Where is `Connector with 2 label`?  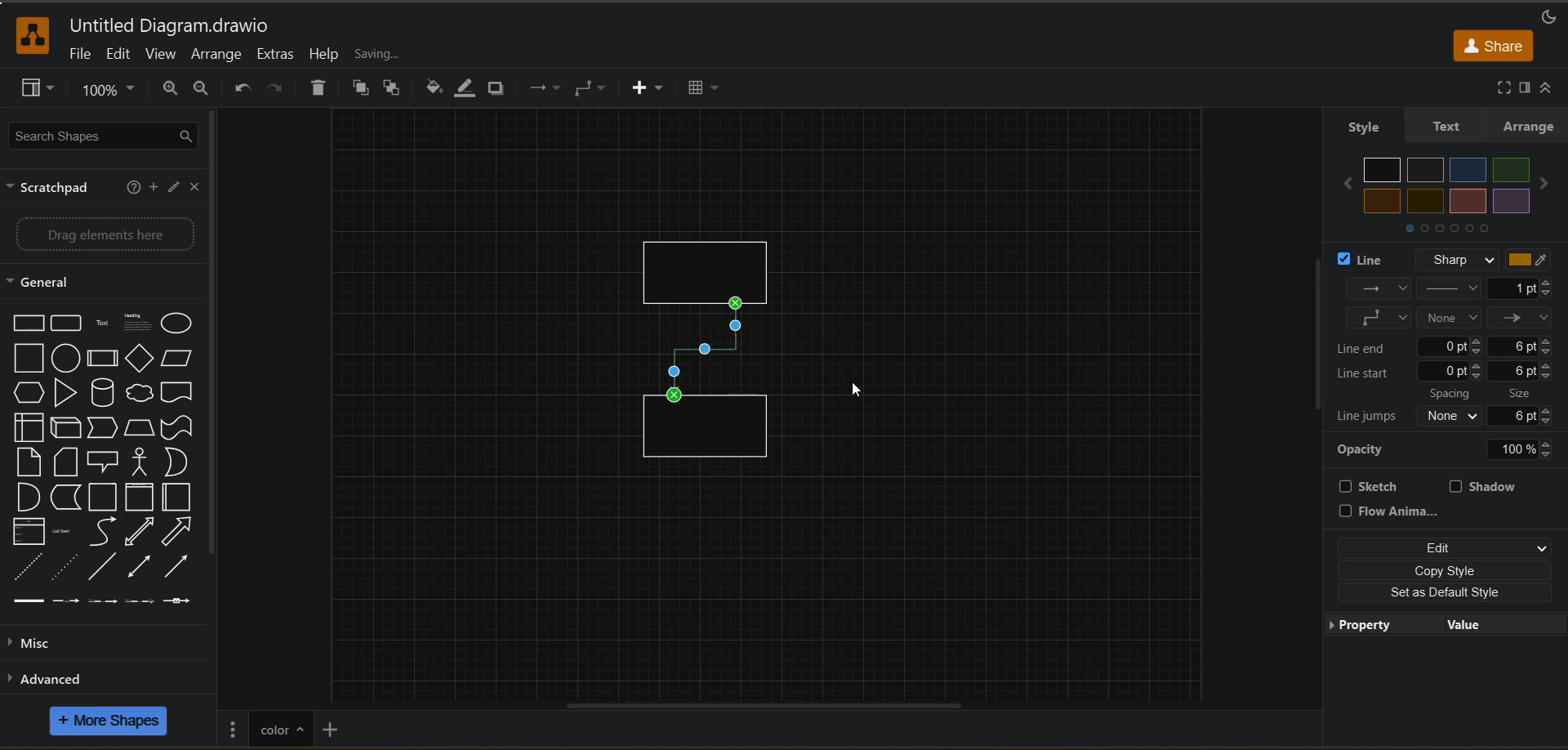
Connector with 2 label is located at coordinates (102, 602).